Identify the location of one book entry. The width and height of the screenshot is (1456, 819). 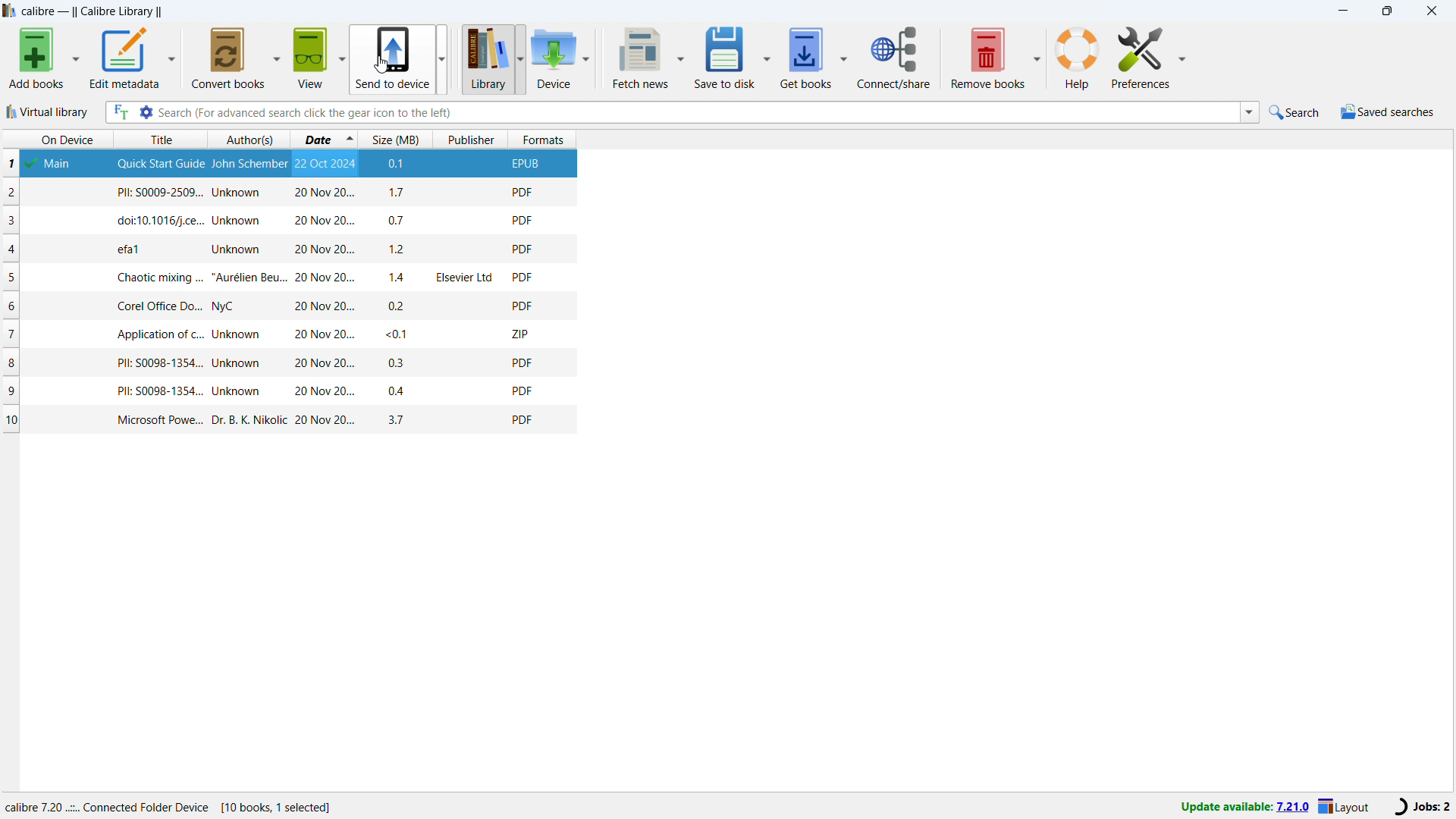
(289, 363).